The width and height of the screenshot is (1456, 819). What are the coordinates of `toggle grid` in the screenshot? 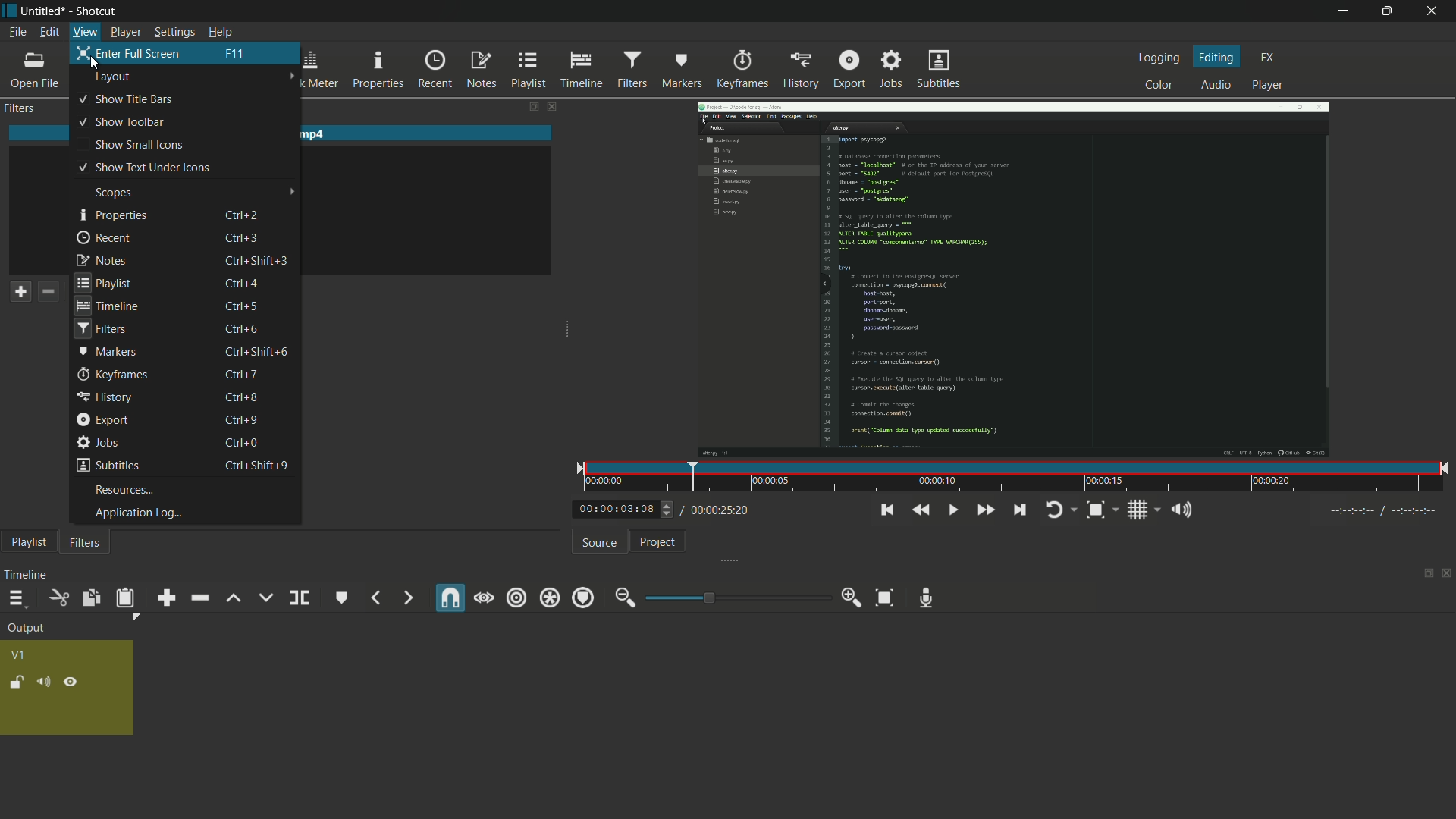 It's located at (1137, 510).